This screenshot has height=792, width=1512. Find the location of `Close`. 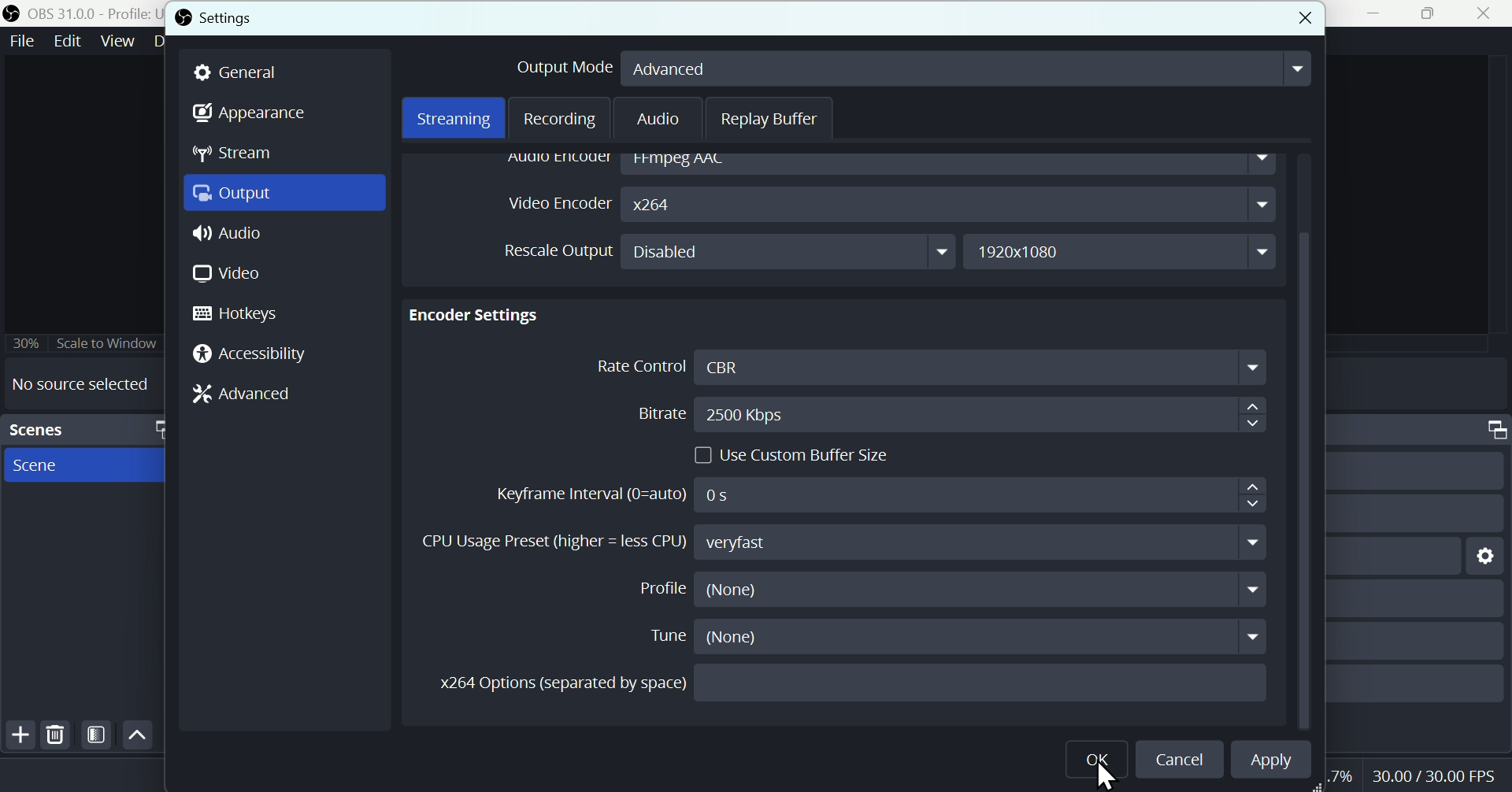

Close is located at coordinates (1488, 13).